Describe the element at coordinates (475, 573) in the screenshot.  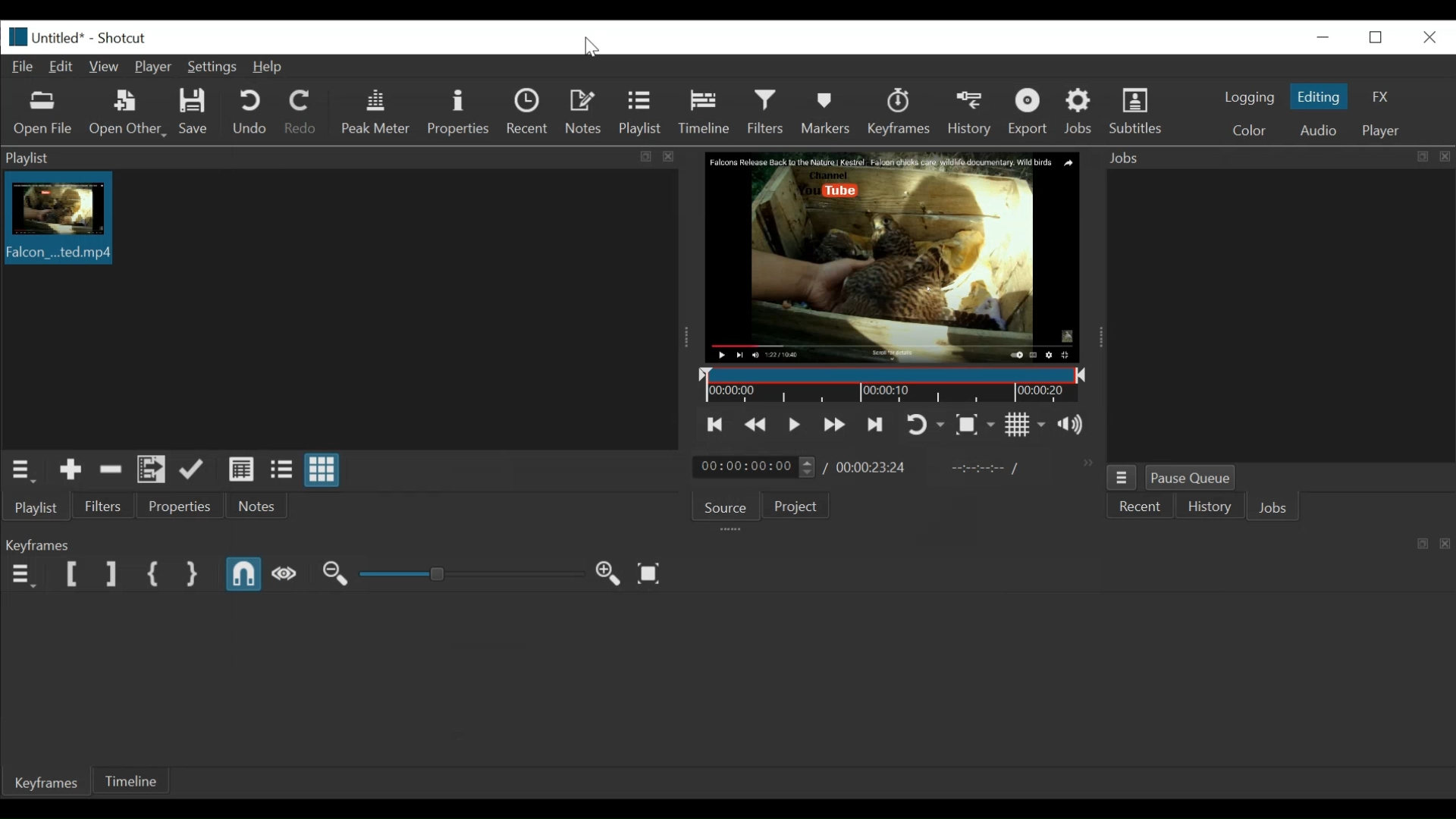
I see `Adjust zoom slider` at that location.